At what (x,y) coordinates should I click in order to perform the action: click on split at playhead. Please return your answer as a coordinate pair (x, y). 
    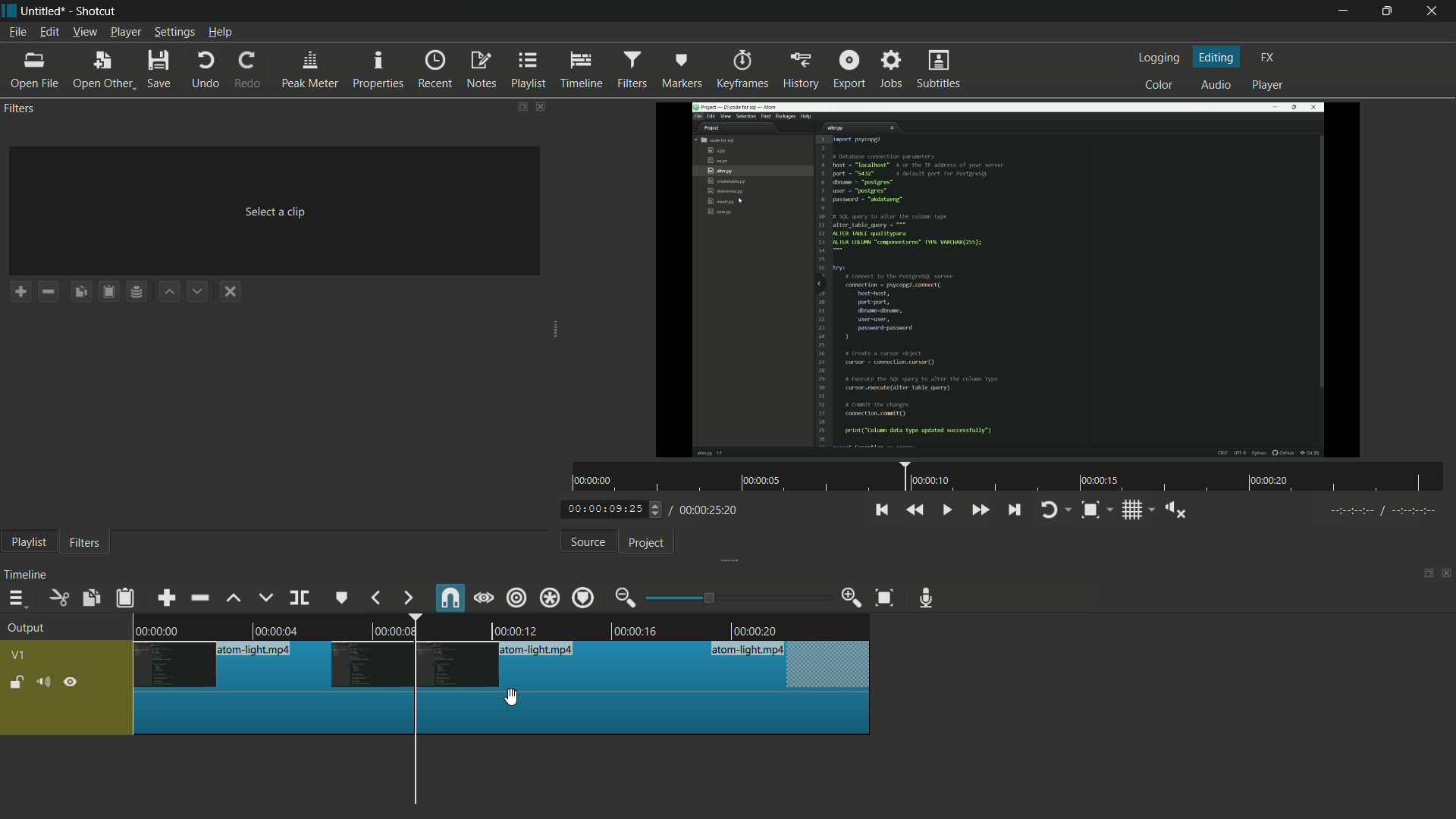
    Looking at the image, I should click on (300, 598).